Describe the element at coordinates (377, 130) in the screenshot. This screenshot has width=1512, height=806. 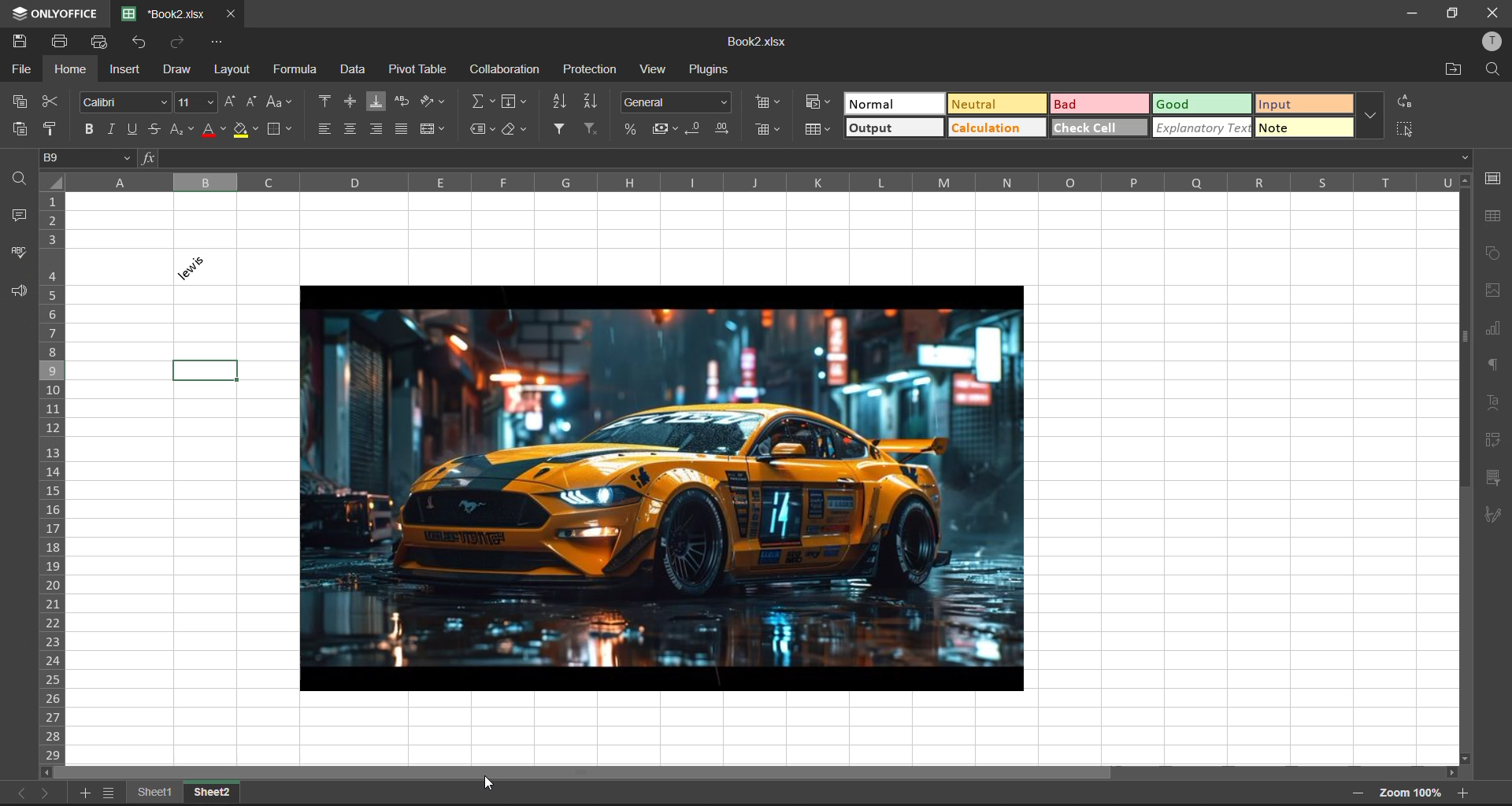
I see `align right` at that location.